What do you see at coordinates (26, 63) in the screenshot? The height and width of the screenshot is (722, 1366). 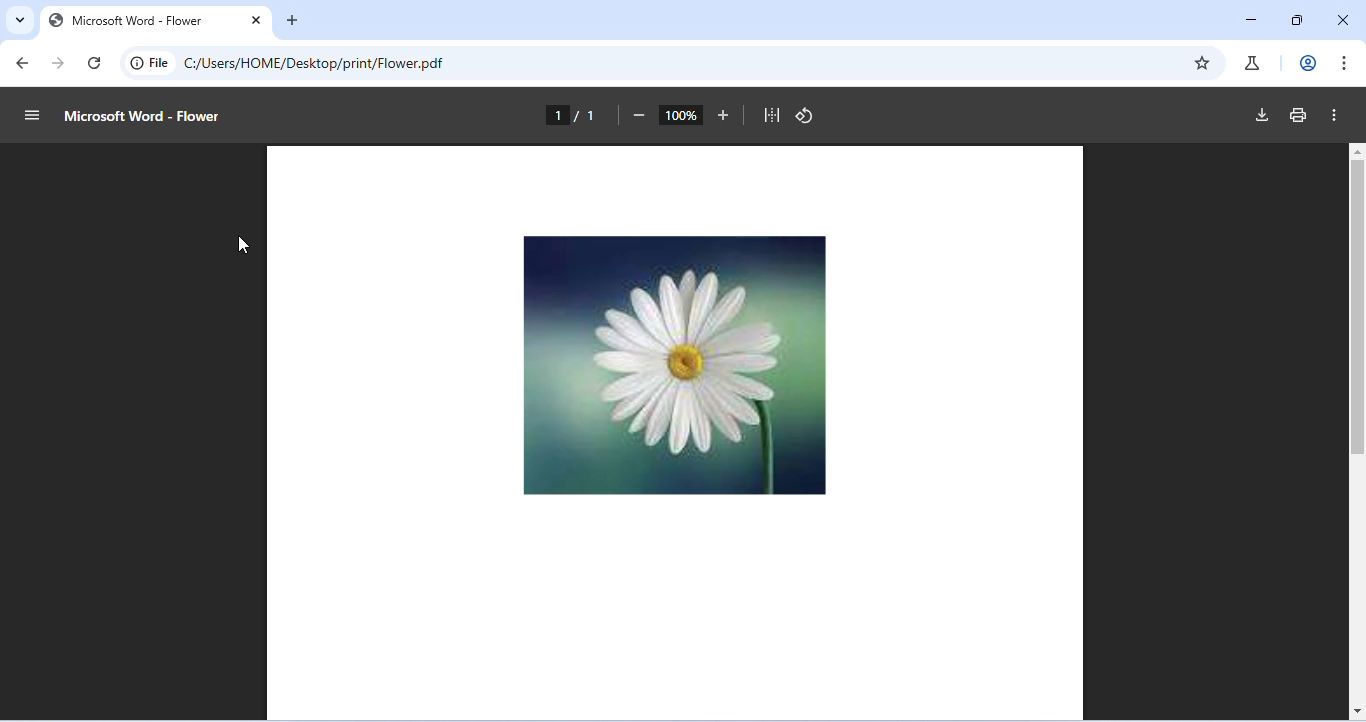 I see `go back` at bounding box center [26, 63].